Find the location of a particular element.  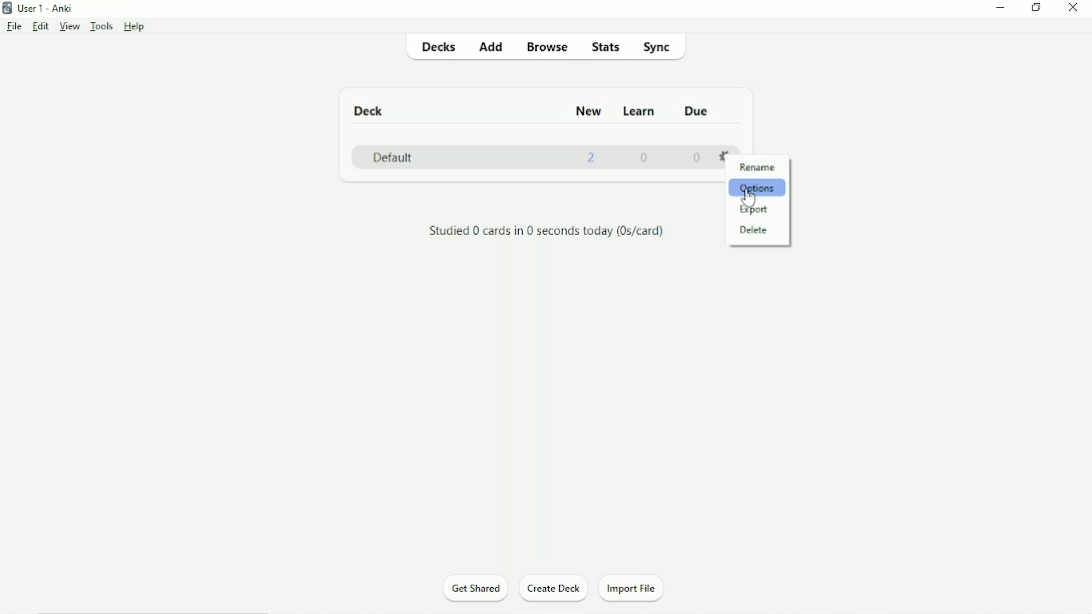

Anki logo is located at coordinates (8, 8).